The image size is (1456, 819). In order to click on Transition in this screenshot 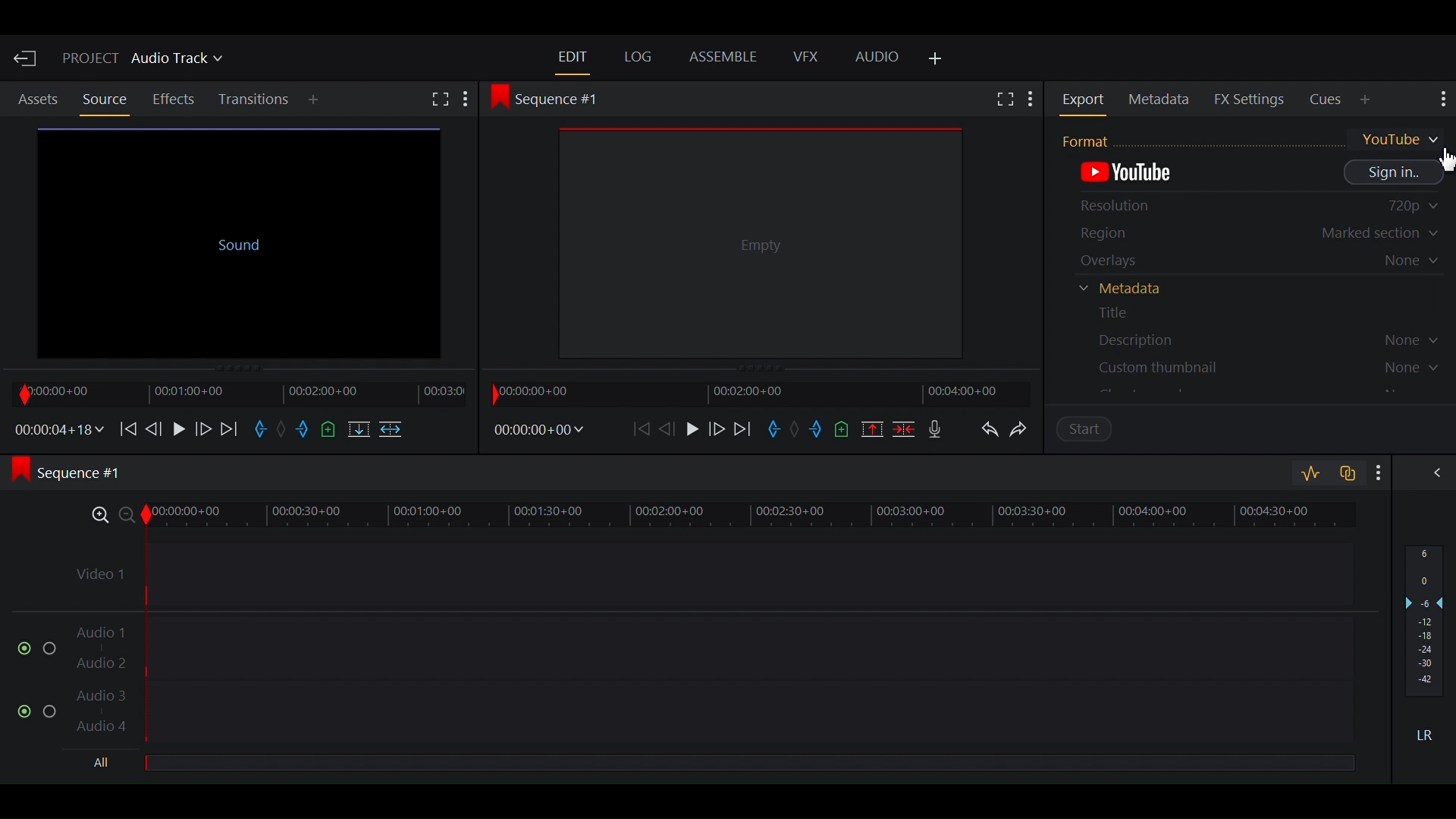, I will do `click(256, 100)`.